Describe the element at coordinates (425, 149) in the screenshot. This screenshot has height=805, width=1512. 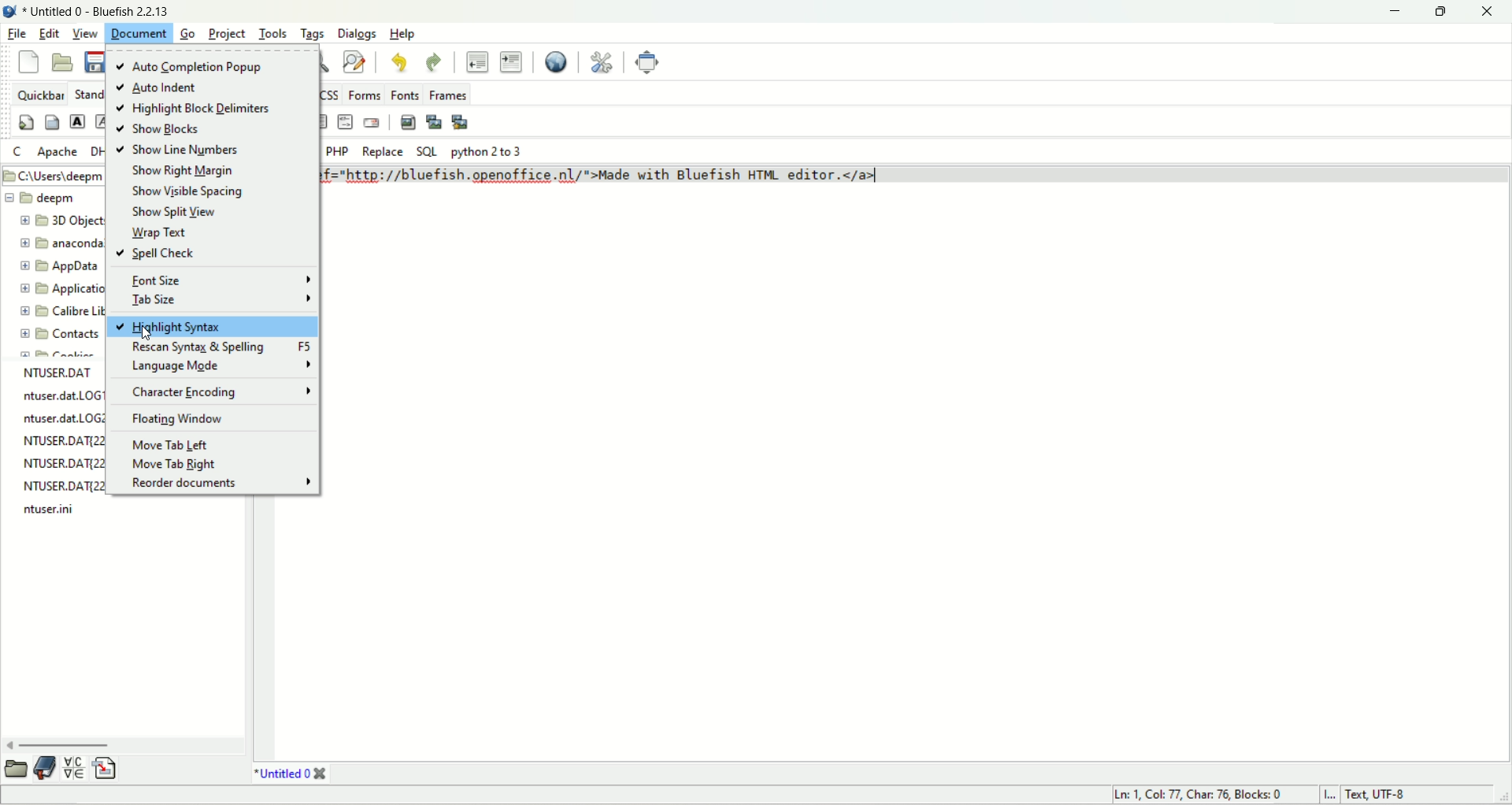
I see `SQL` at that location.